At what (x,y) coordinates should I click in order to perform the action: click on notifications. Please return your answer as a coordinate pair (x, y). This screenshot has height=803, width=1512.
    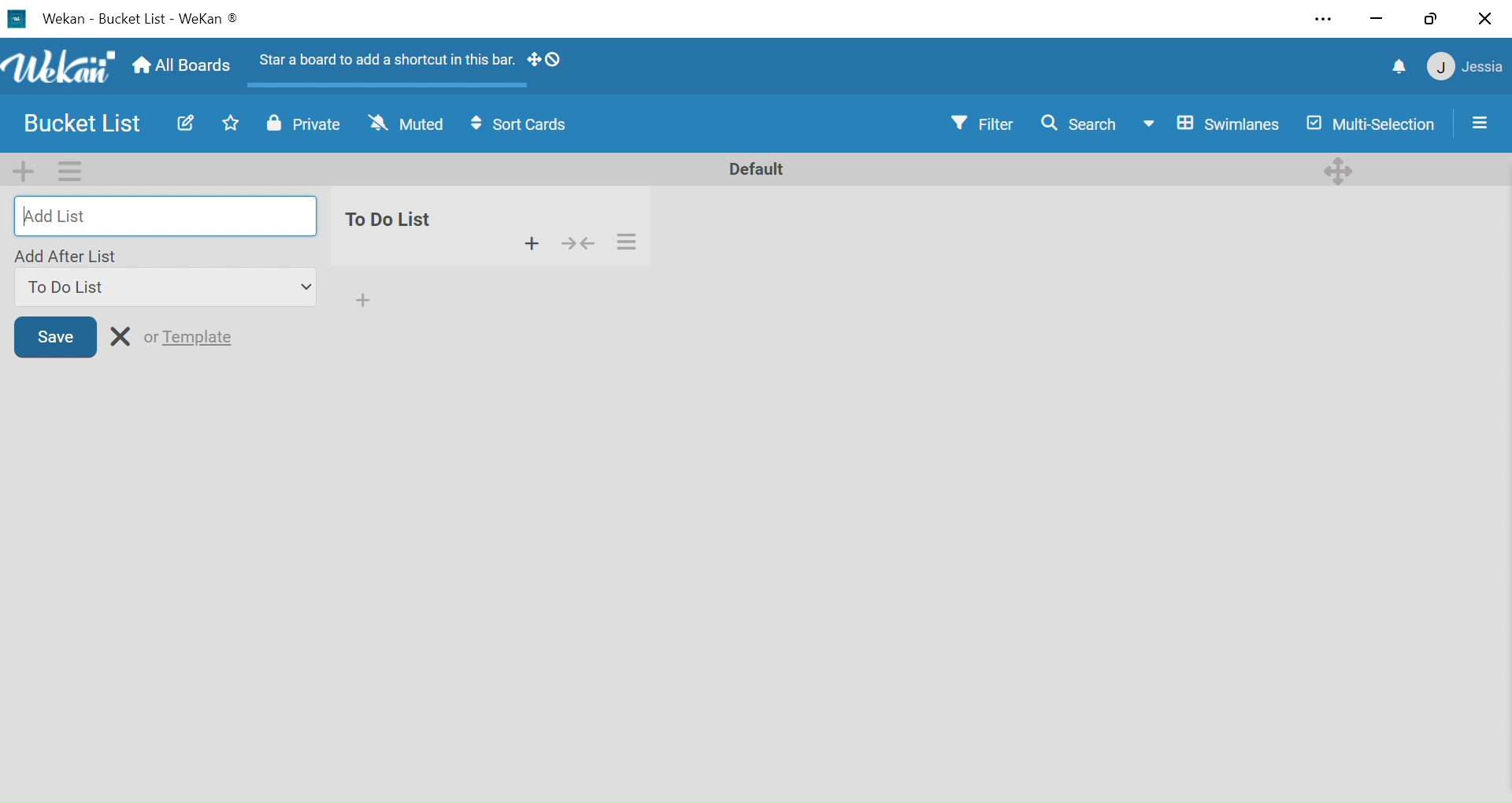
    Looking at the image, I should click on (1401, 68).